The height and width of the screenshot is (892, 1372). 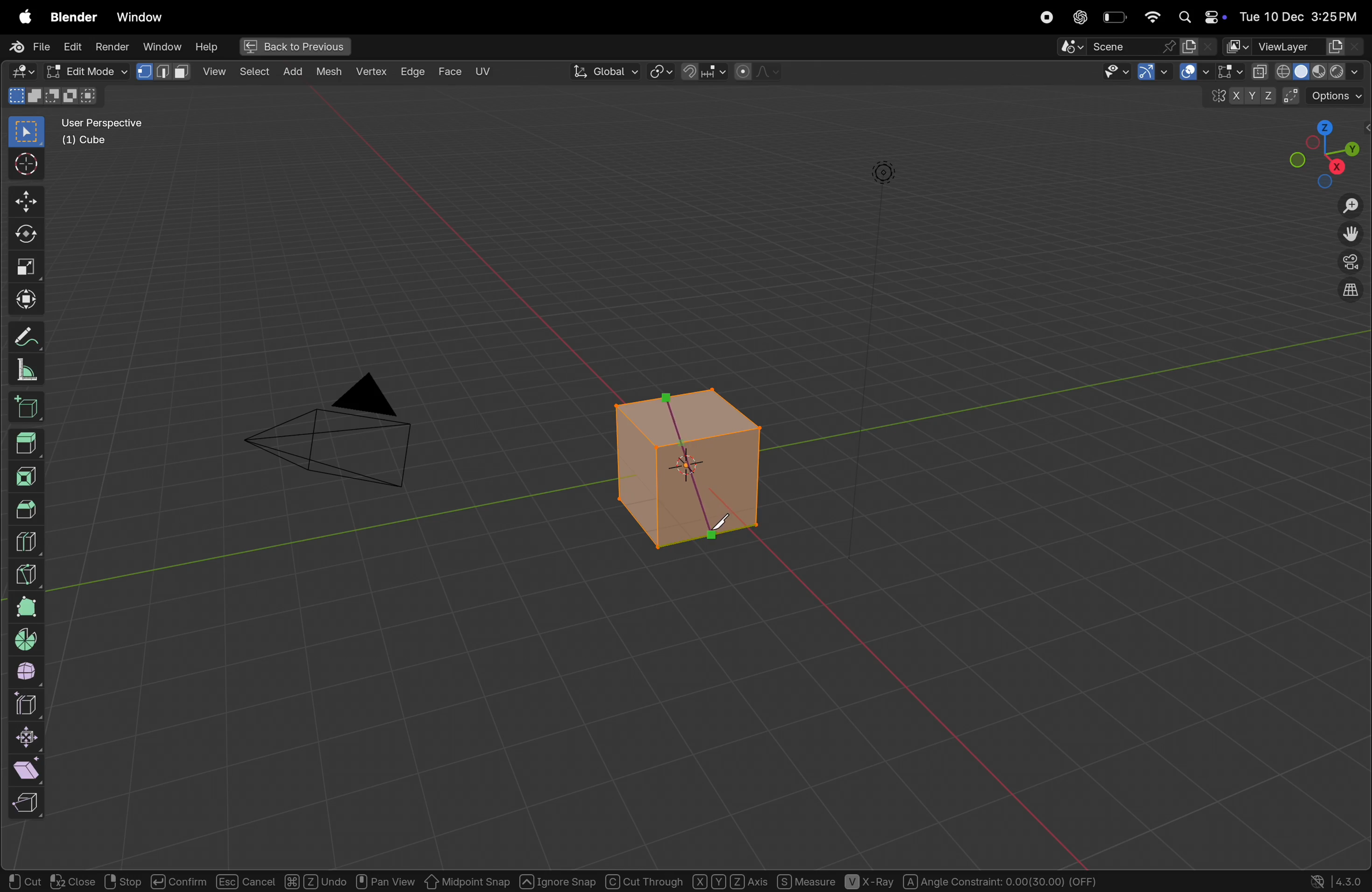 I want to click on View, so click(x=166, y=71).